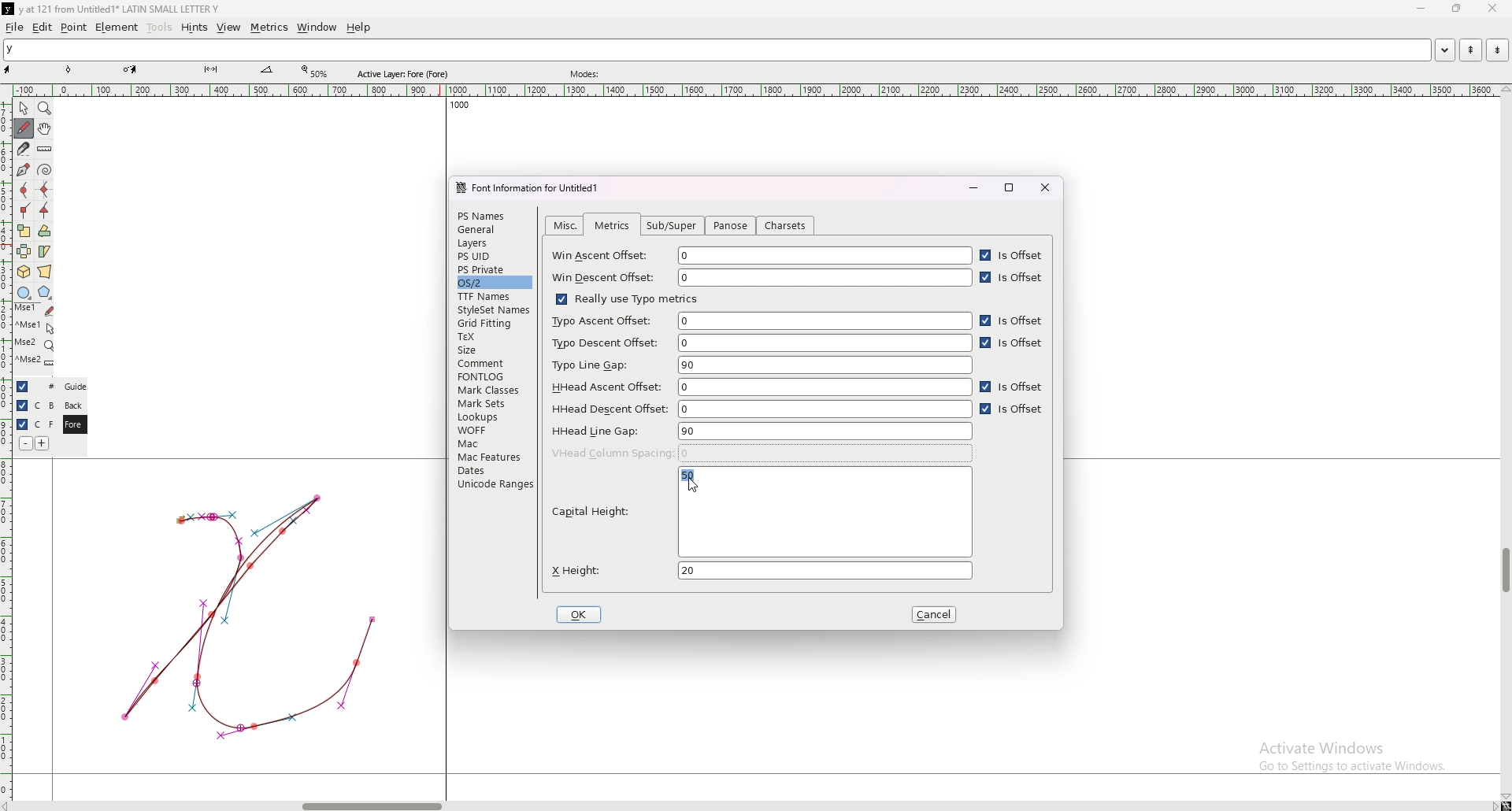  Describe the element at coordinates (24, 109) in the screenshot. I see `pointer` at that location.